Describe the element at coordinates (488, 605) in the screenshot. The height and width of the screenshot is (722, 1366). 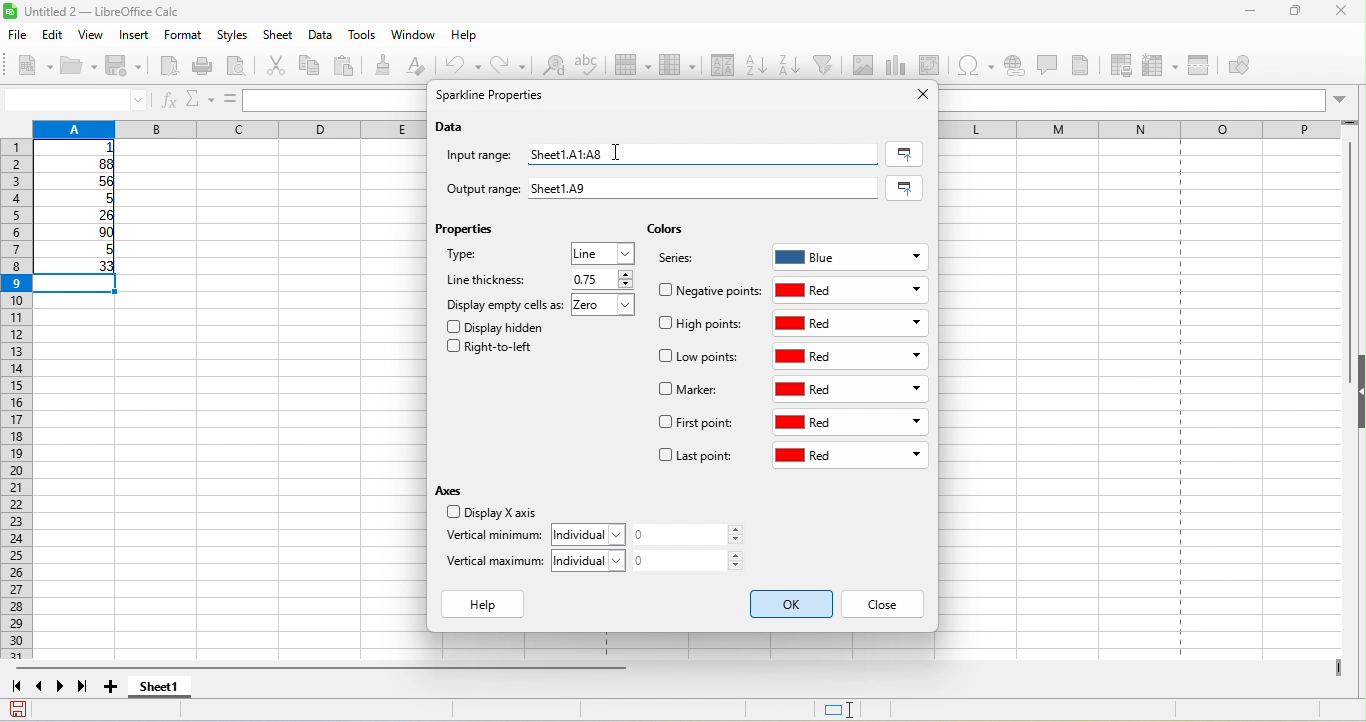
I see `help` at that location.